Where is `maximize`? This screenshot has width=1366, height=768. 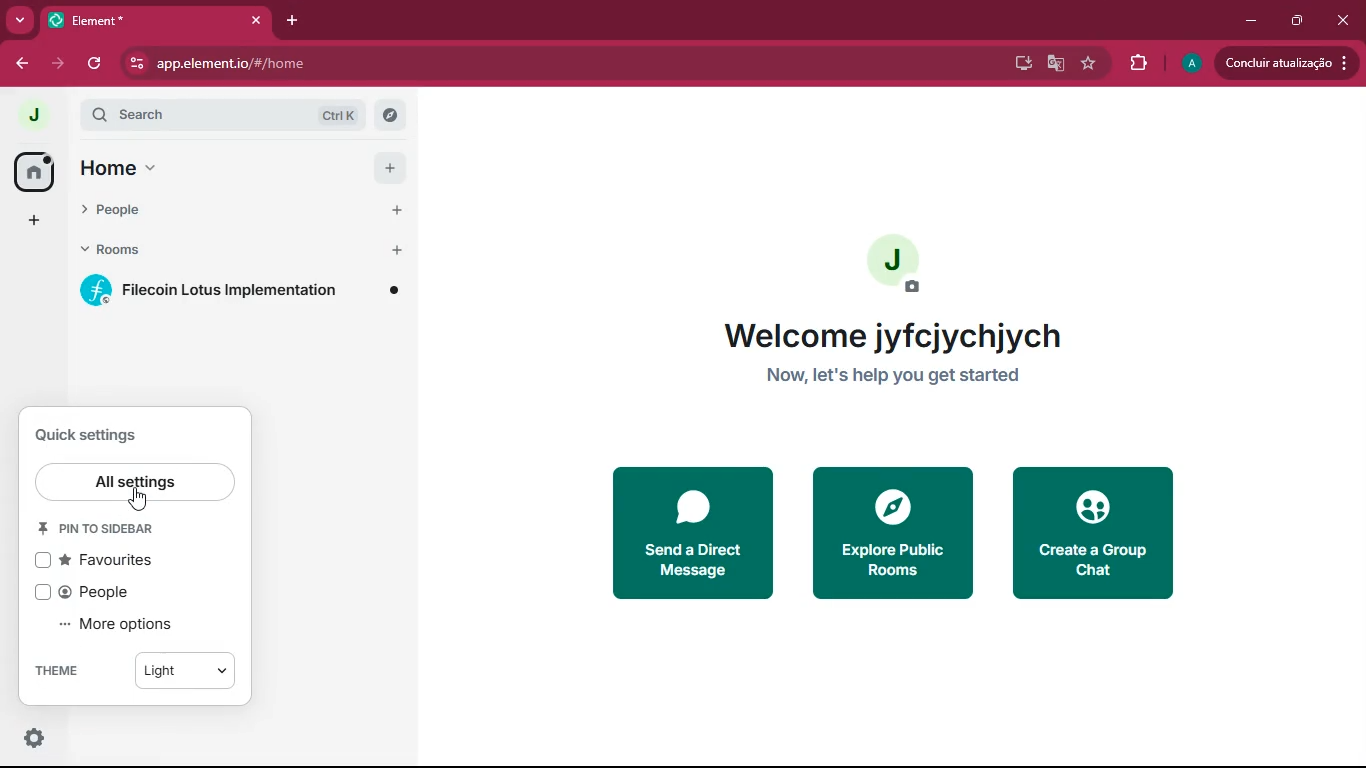
maximize is located at coordinates (1299, 19).